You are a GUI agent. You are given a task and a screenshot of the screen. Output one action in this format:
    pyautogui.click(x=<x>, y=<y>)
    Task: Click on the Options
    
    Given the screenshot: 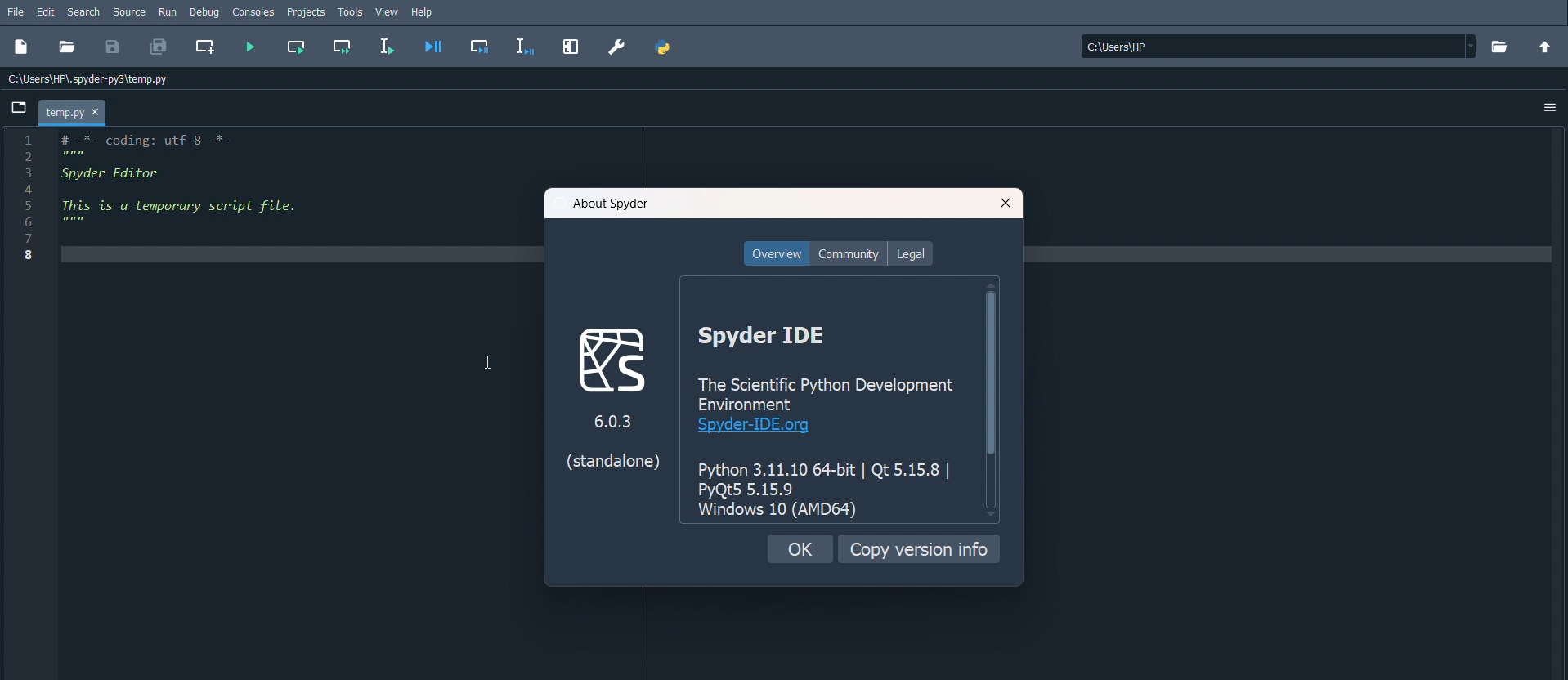 What is the action you would take?
    pyautogui.click(x=1551, y=108)
    